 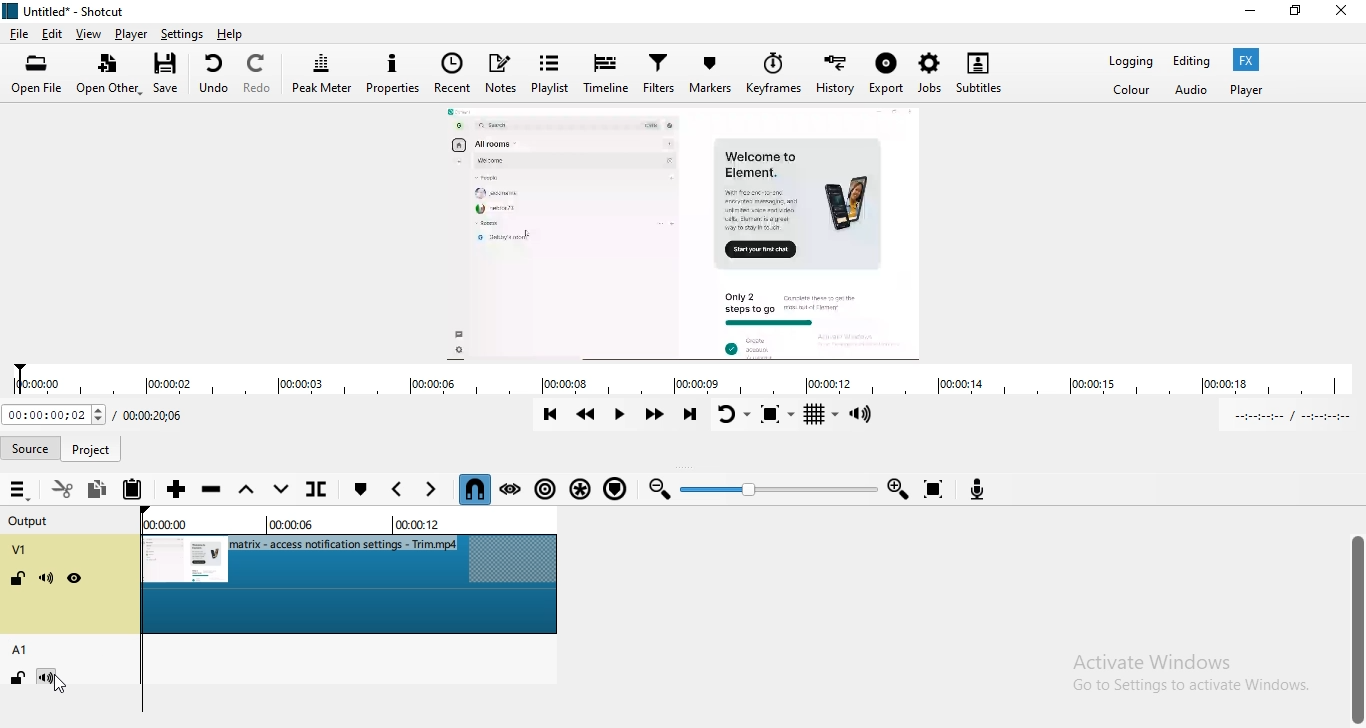 What do you see at coordinates (657, 488) in the screenshot?
I see `Zoom out` at bounding box center [657, 488].